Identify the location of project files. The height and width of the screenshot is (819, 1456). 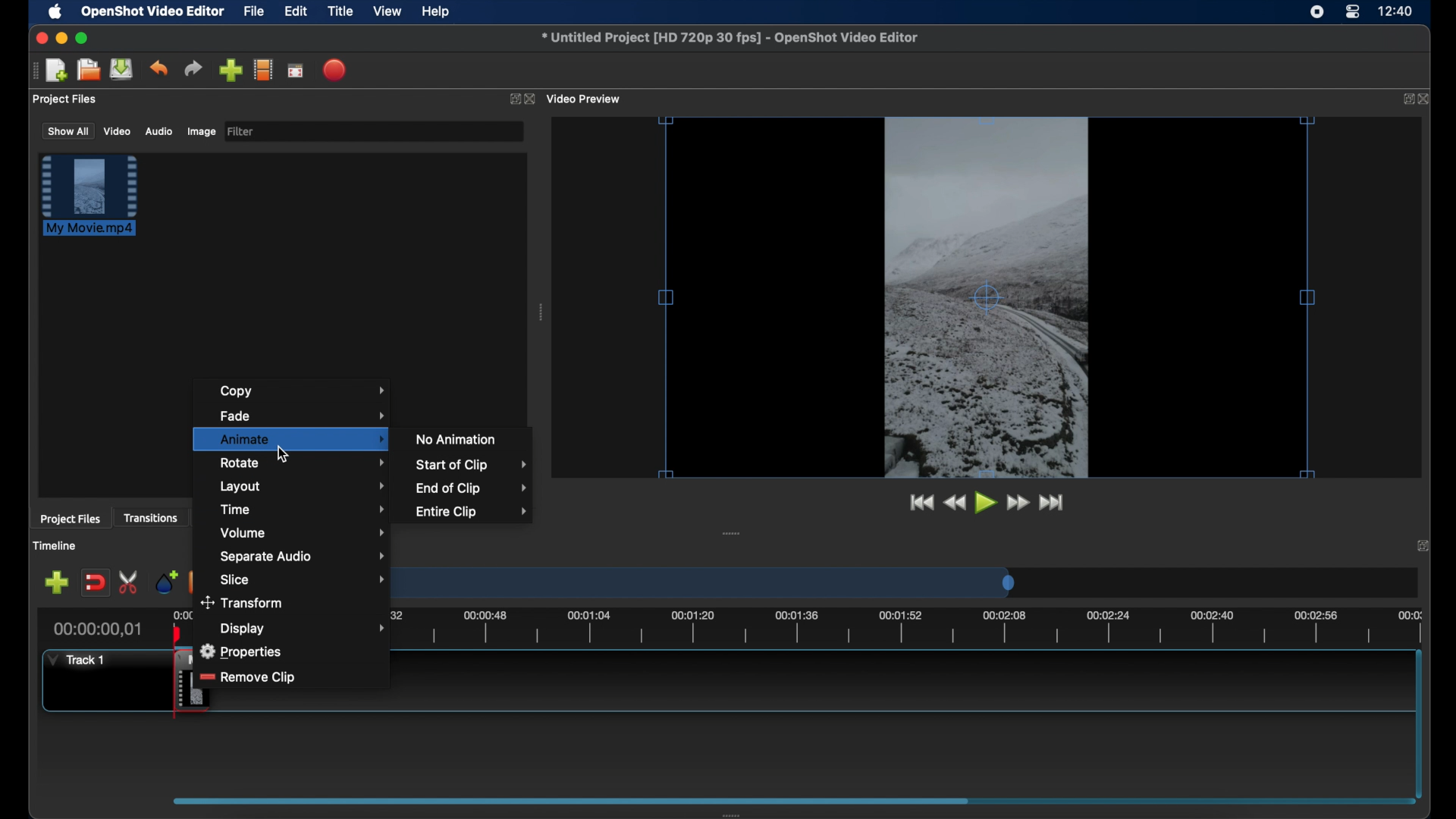
(65, 99).